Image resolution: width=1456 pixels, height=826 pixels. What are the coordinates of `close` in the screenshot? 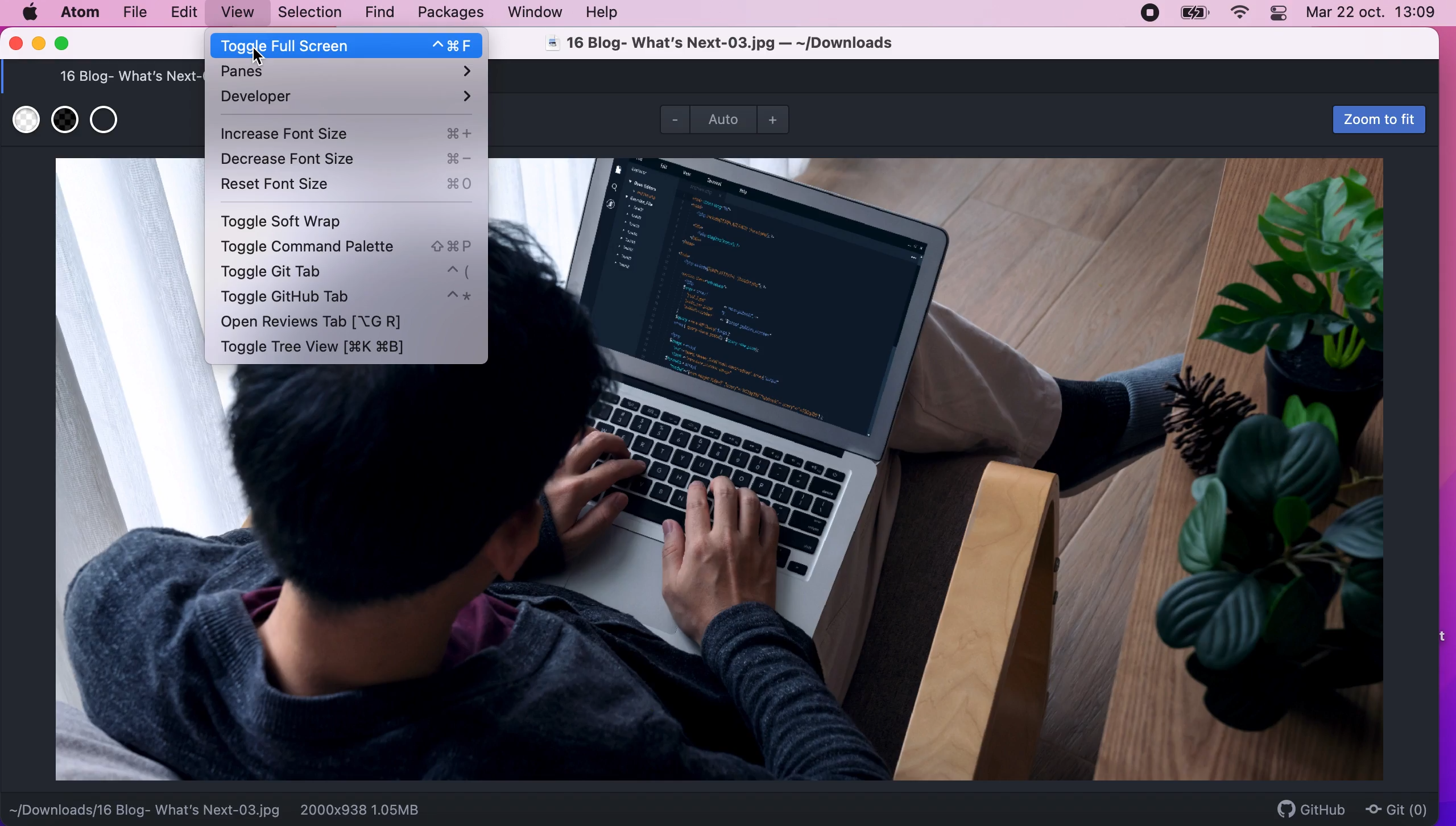 It's located at (15, 48).